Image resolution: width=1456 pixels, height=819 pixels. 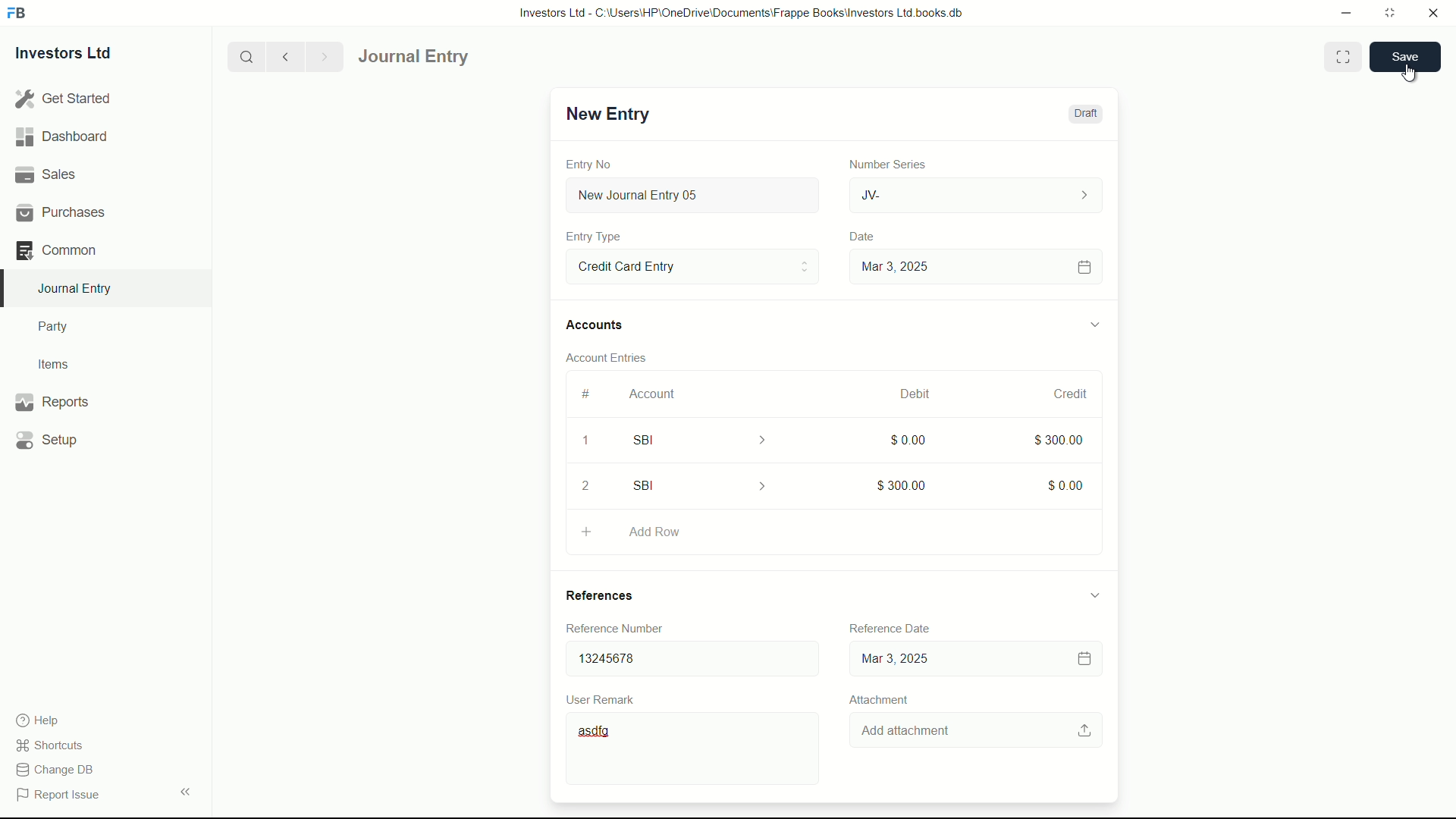 I want to click on expand/collapse, so click(x=1094, y=594).